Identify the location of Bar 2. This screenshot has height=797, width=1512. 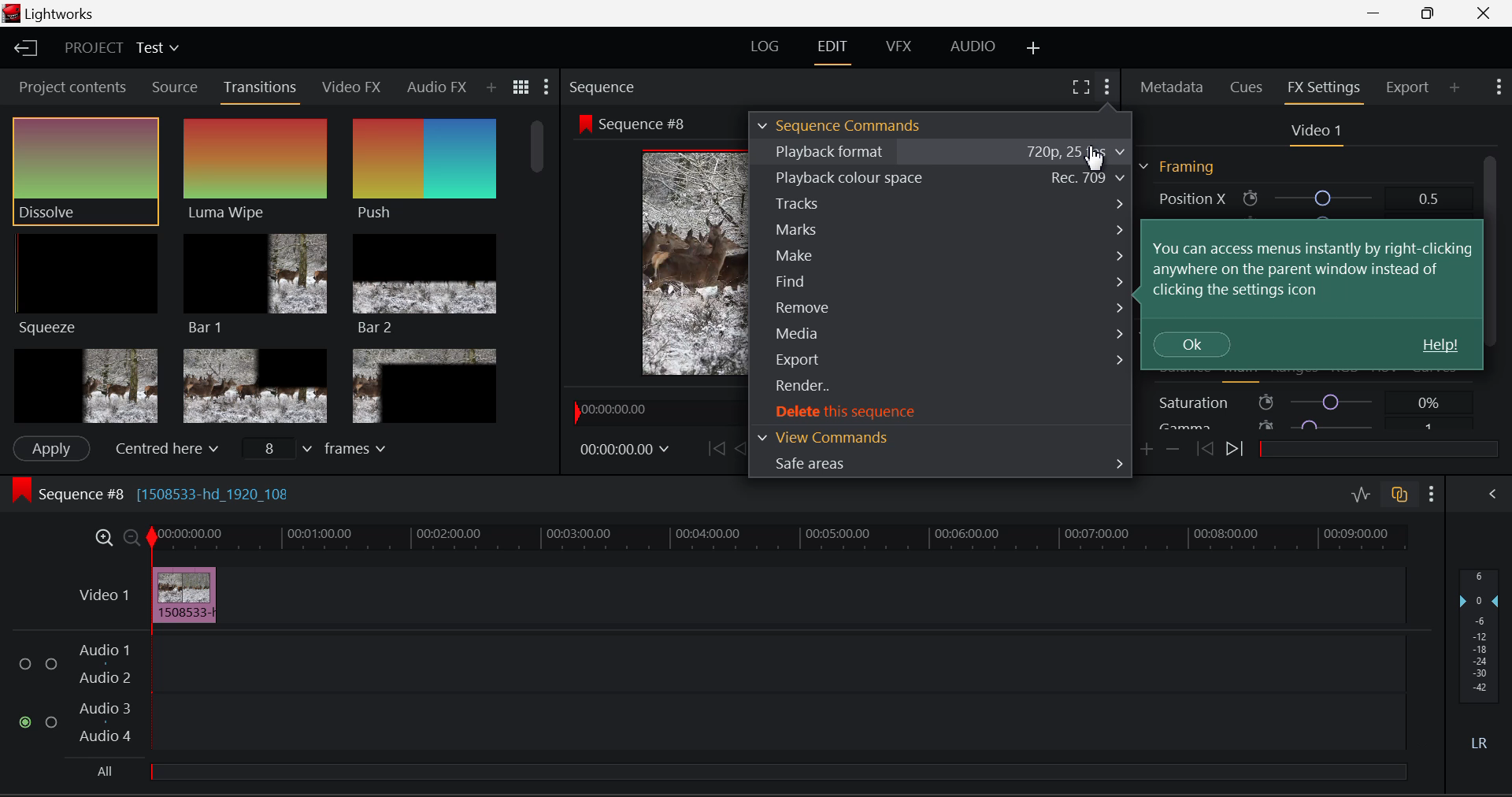
(425, 286).